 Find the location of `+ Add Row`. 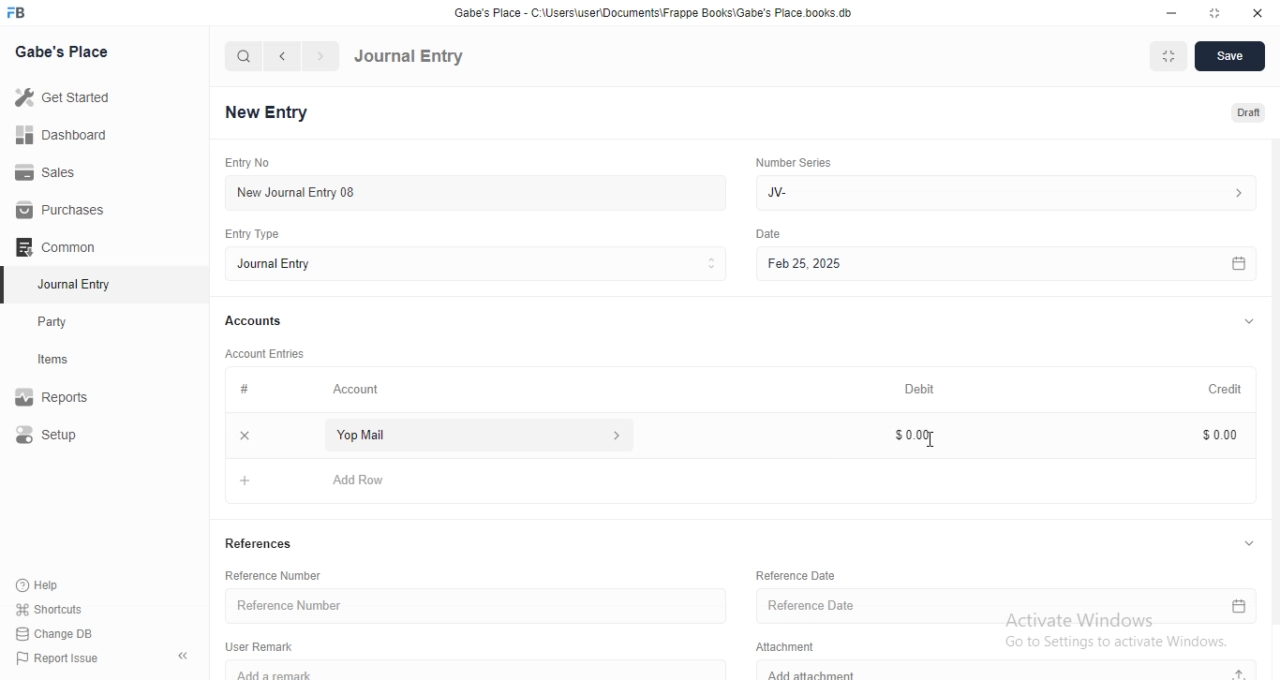

+ Add Row is located at coordinates (745, 479).